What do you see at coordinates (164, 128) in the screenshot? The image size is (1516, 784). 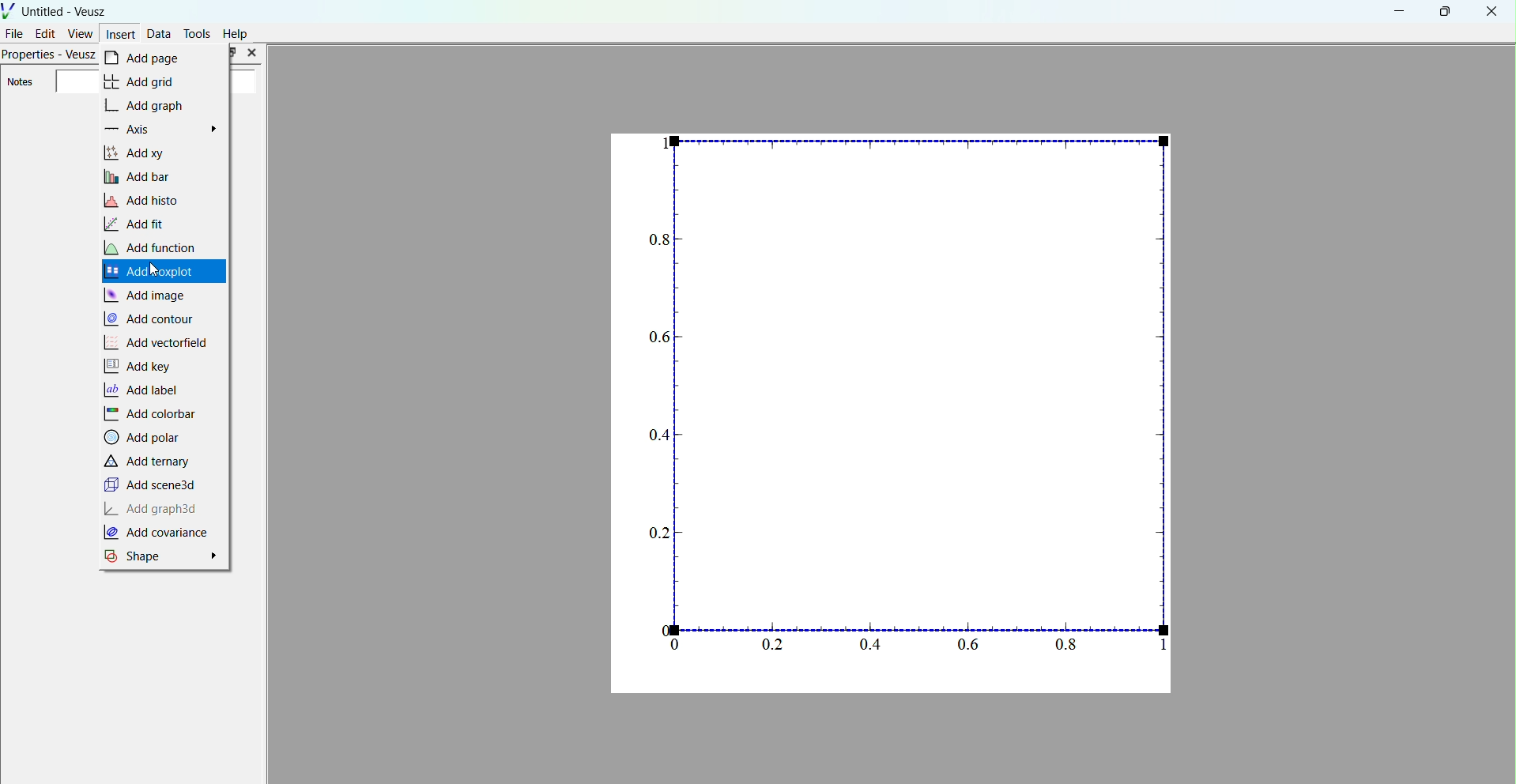 I see `Axis` at bounding box center [164, 128].